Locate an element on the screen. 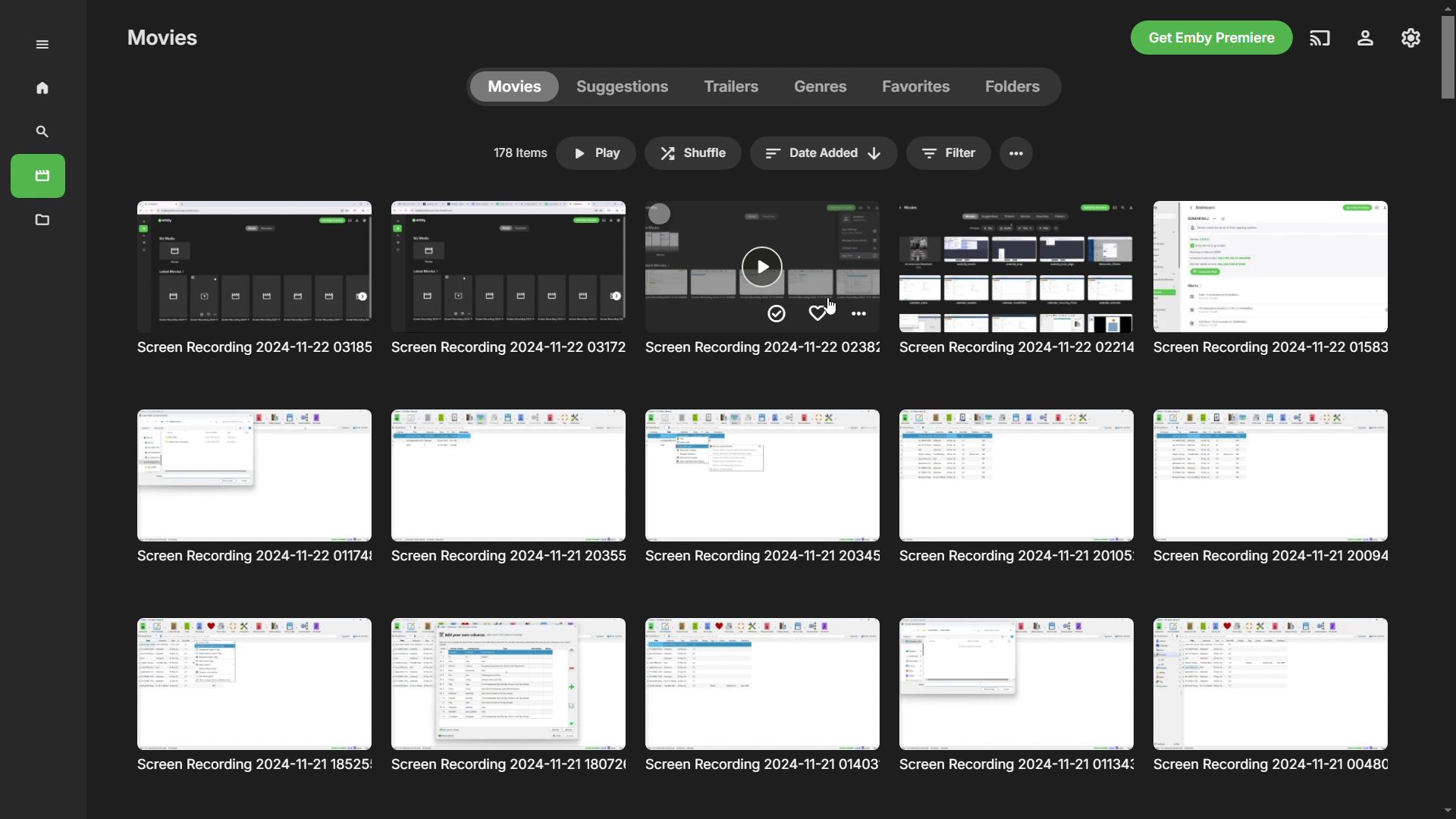 The width and height of the screenshot is (1456, 819).  is located at coordinates (1274, 279).